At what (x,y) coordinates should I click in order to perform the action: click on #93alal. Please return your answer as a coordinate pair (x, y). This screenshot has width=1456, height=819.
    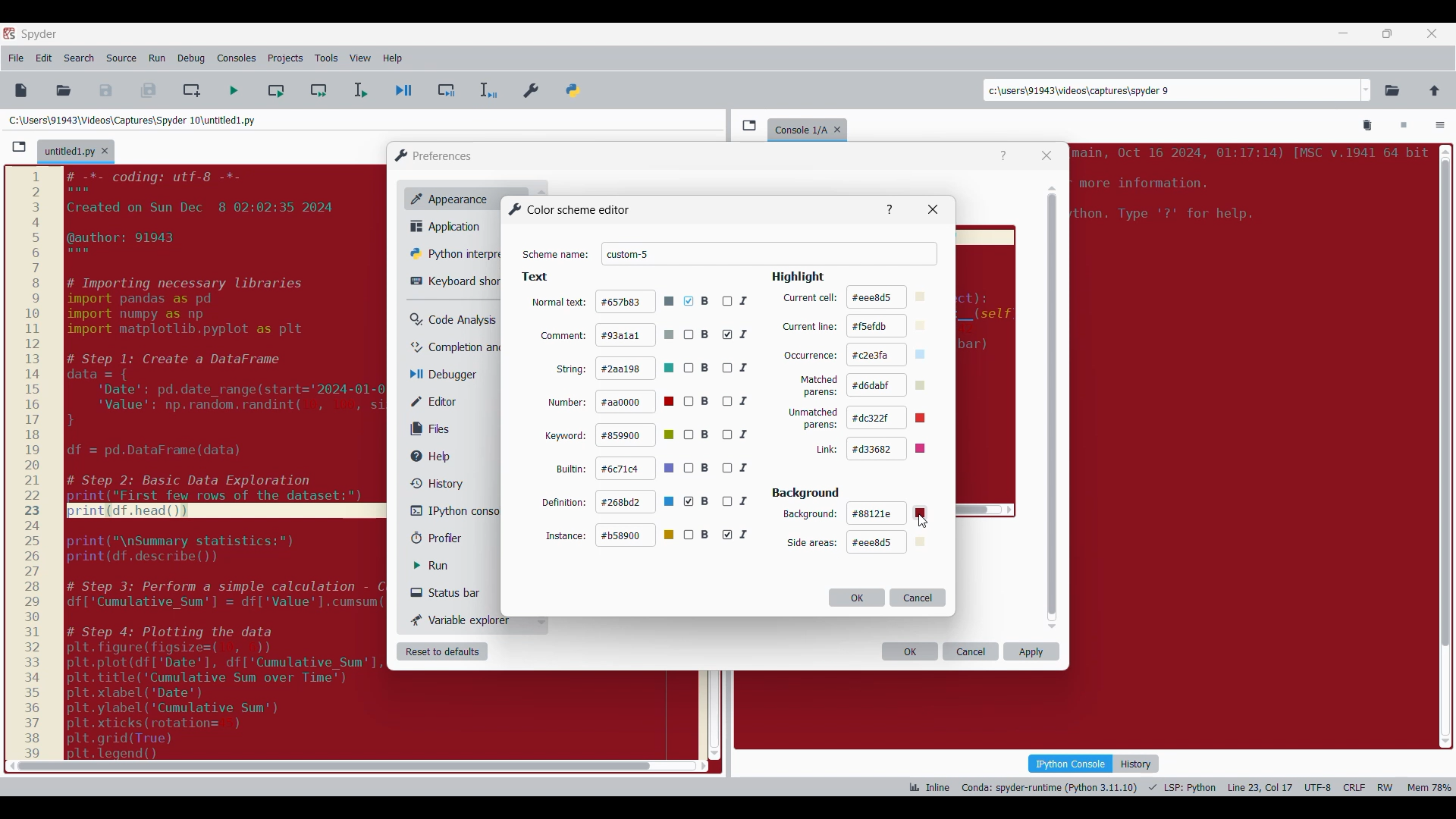
    Looking at the image, I should click on (634, 334).